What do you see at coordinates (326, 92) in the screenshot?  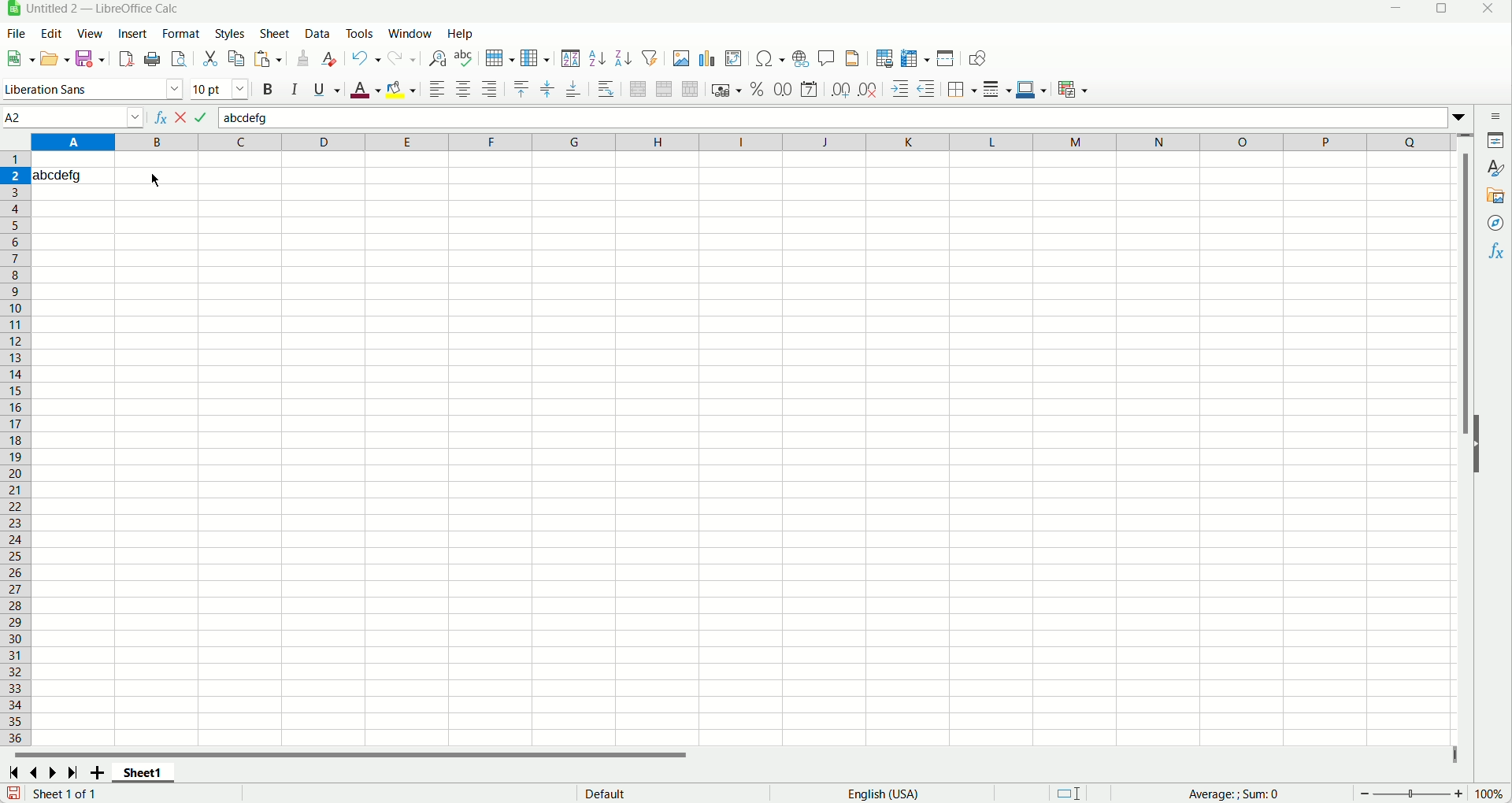 I see `underline` at bounding box center [326, 92].